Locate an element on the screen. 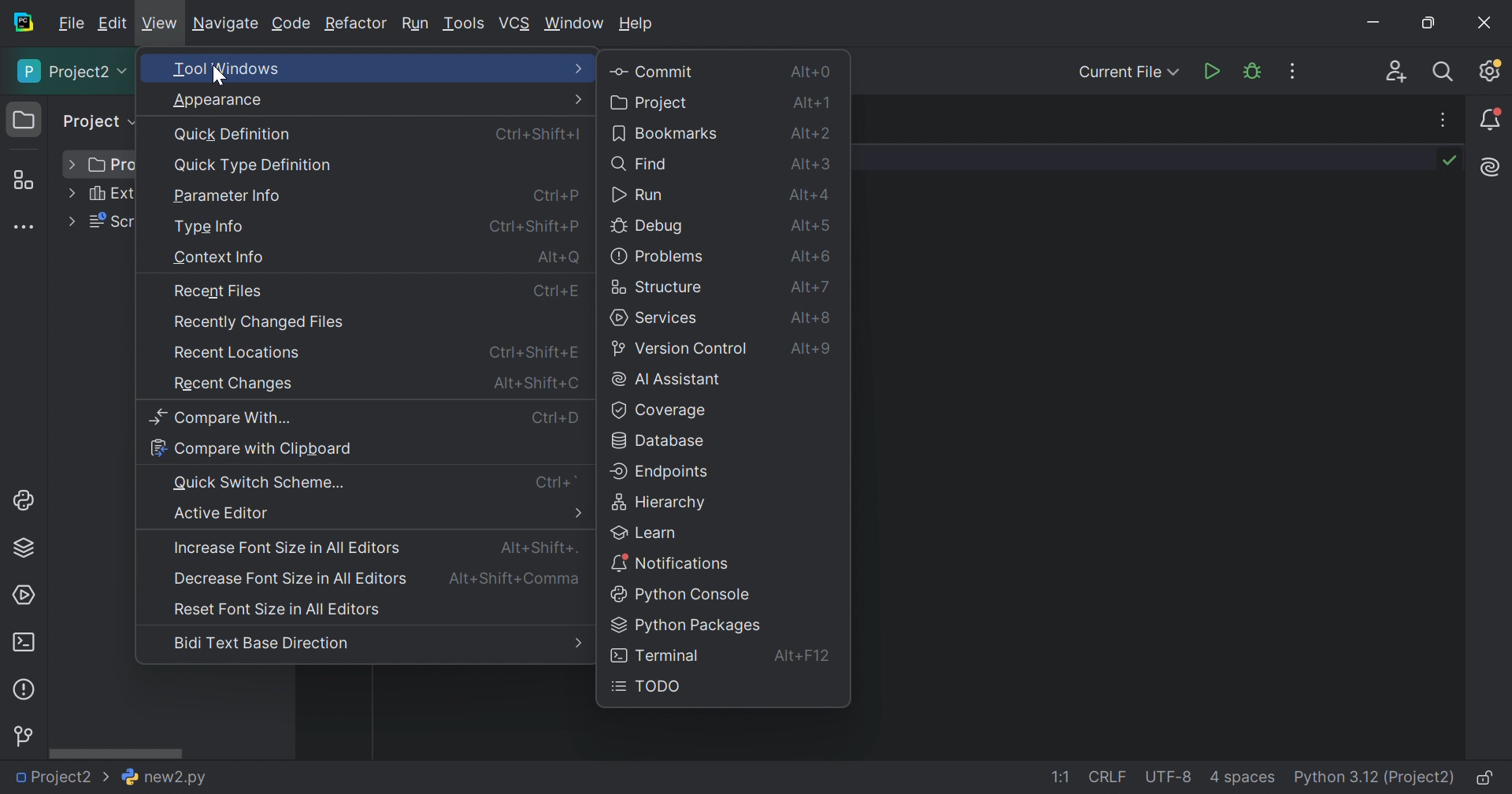 This screenshot has height=794, width=1512. More is located at coordinates (576, 643).